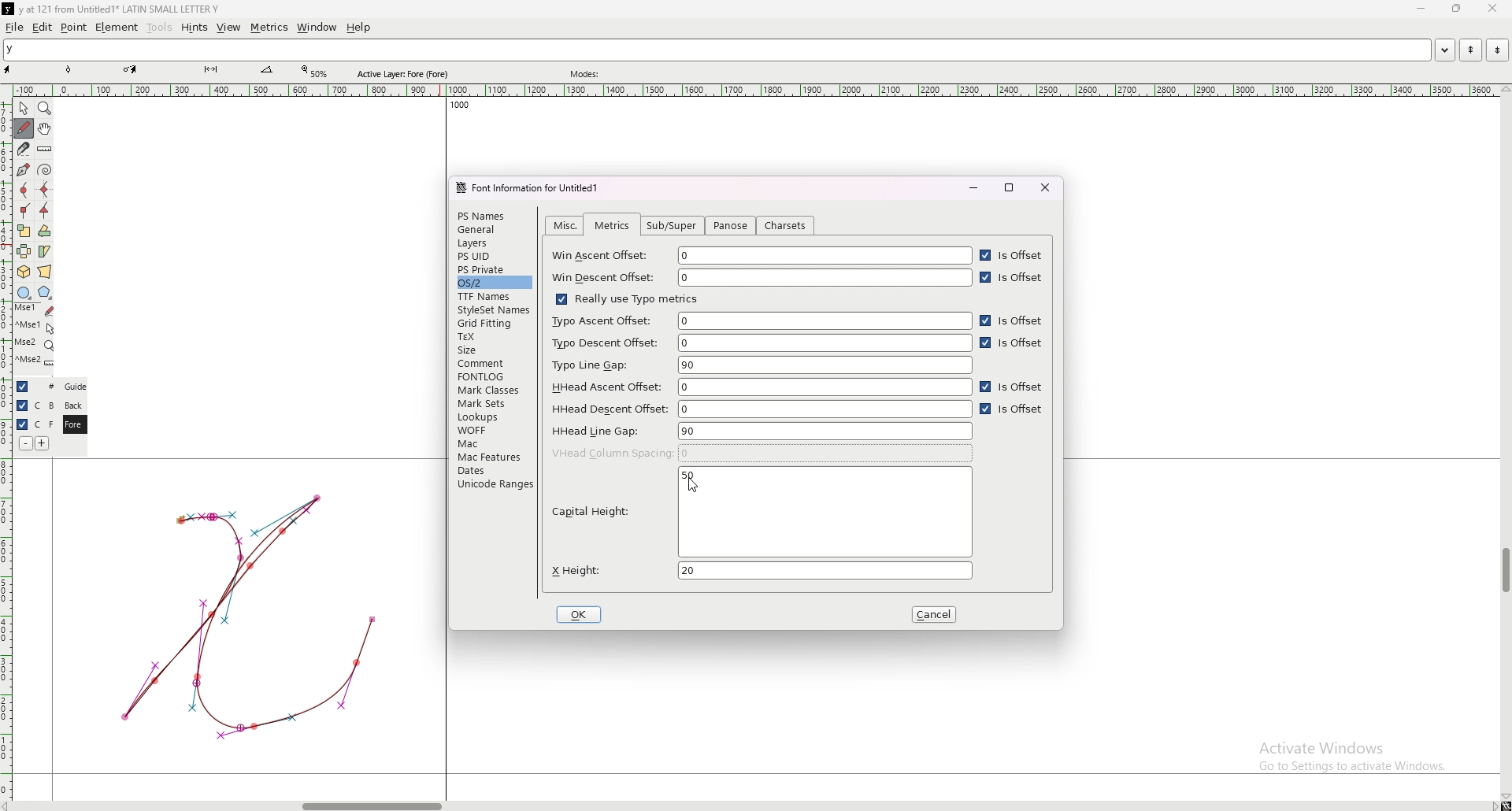  What do you see at coordinates (73, 405) in the screenshot?
I see `back` at bounding box center [73, 405].